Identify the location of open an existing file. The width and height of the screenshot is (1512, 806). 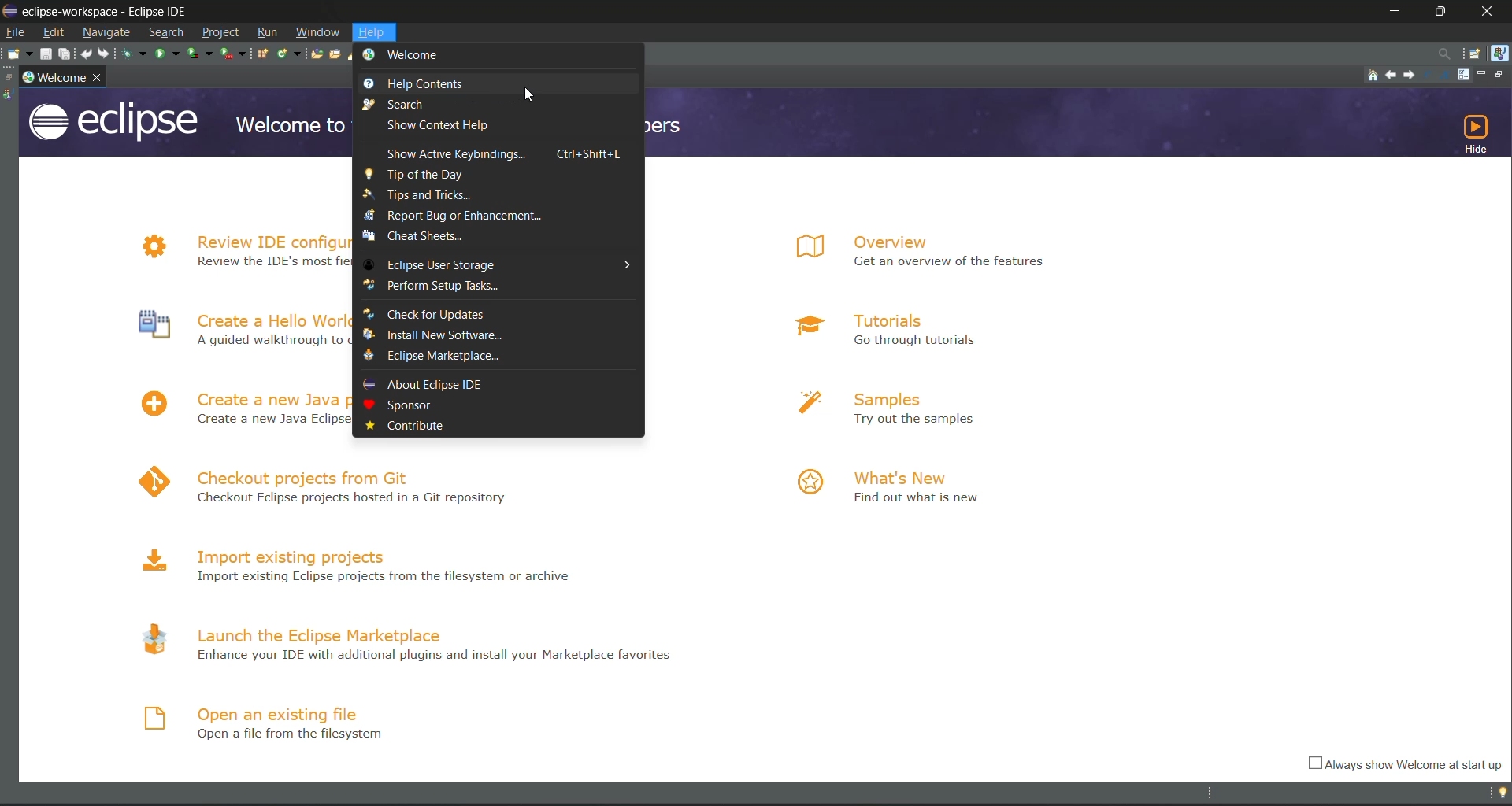
(265, 712).